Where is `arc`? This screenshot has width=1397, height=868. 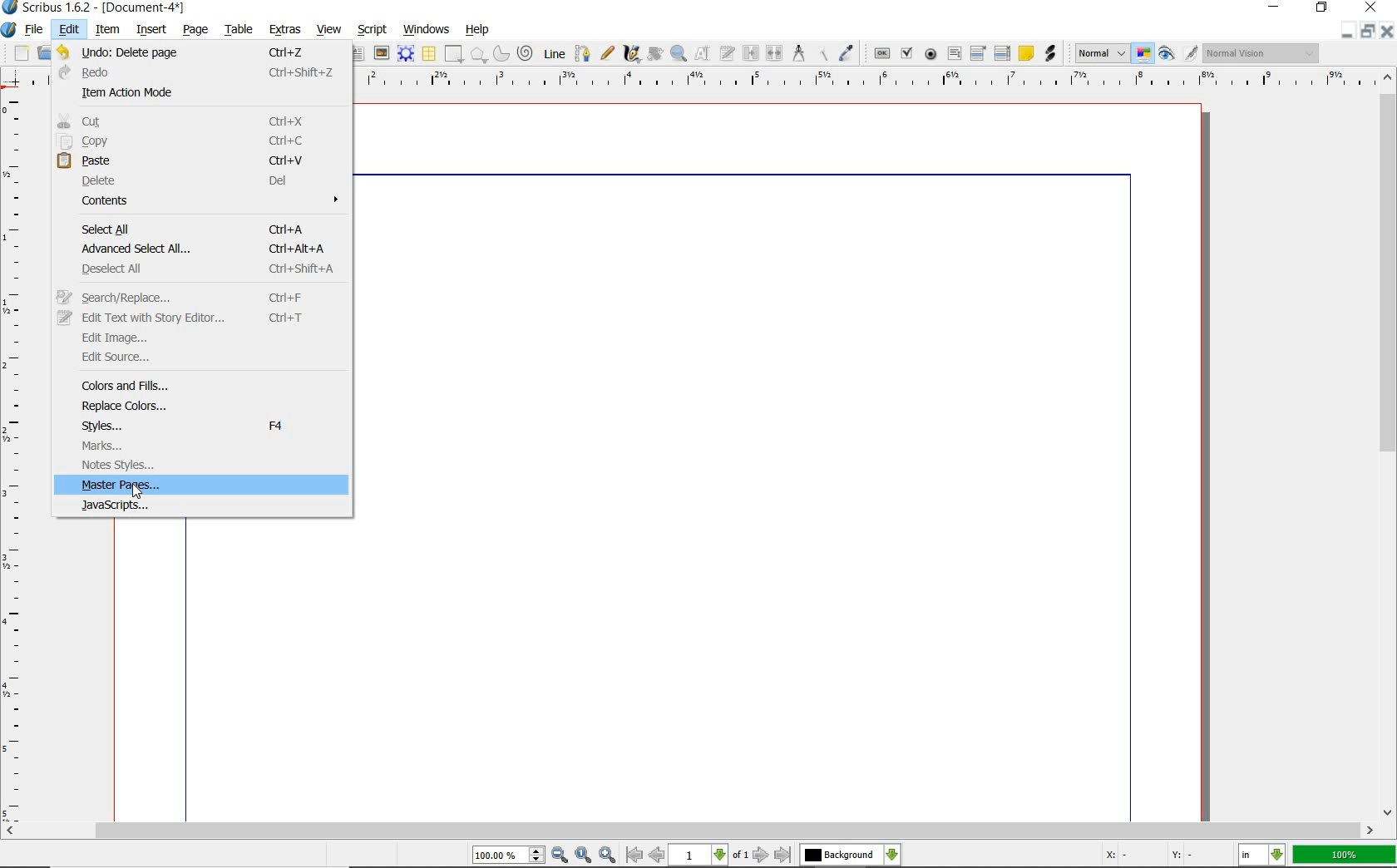
arc is located at coordinates (500, 53).